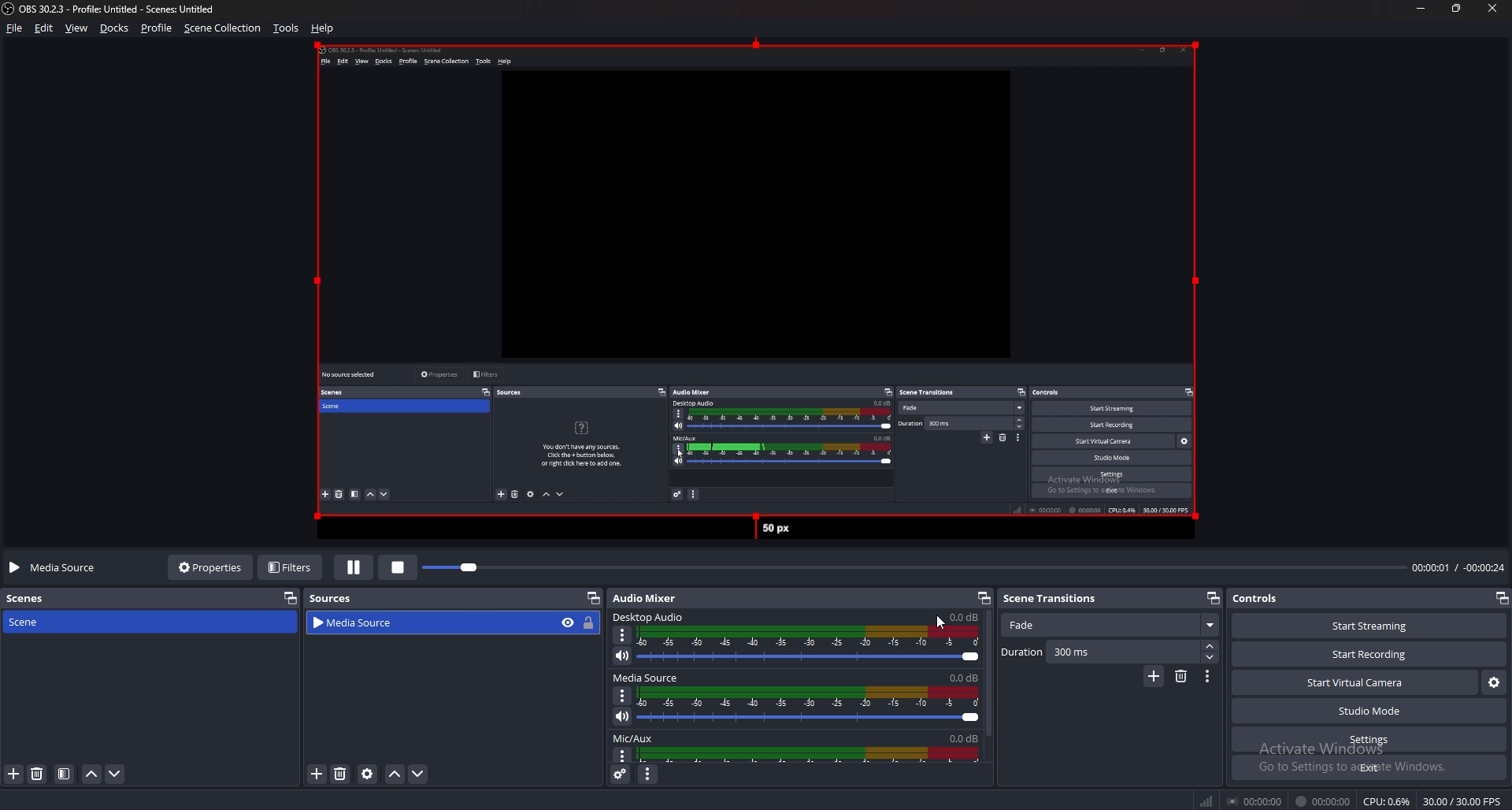 The width and height of the screenshot is (1512, 810). I want to click on  Scene scene, so click(35, 620).